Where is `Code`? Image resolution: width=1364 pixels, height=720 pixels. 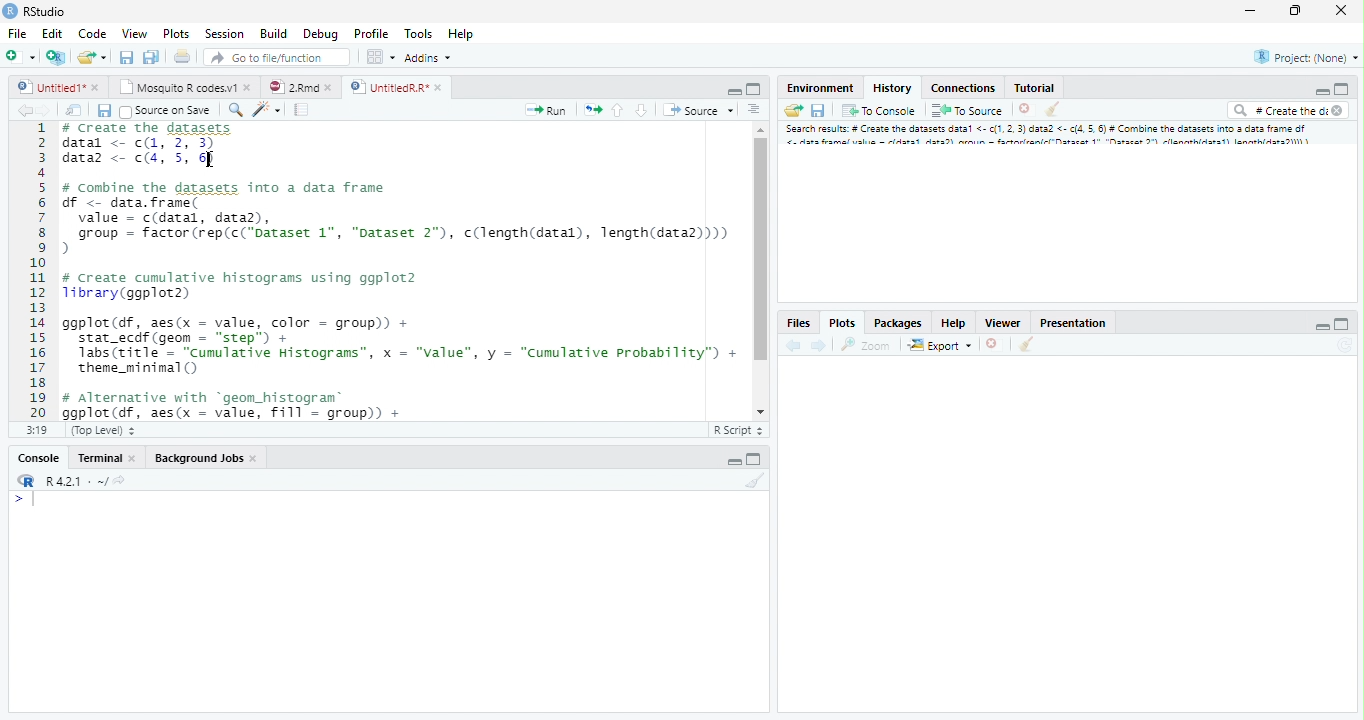
Code is located at coordinates (91, 35).